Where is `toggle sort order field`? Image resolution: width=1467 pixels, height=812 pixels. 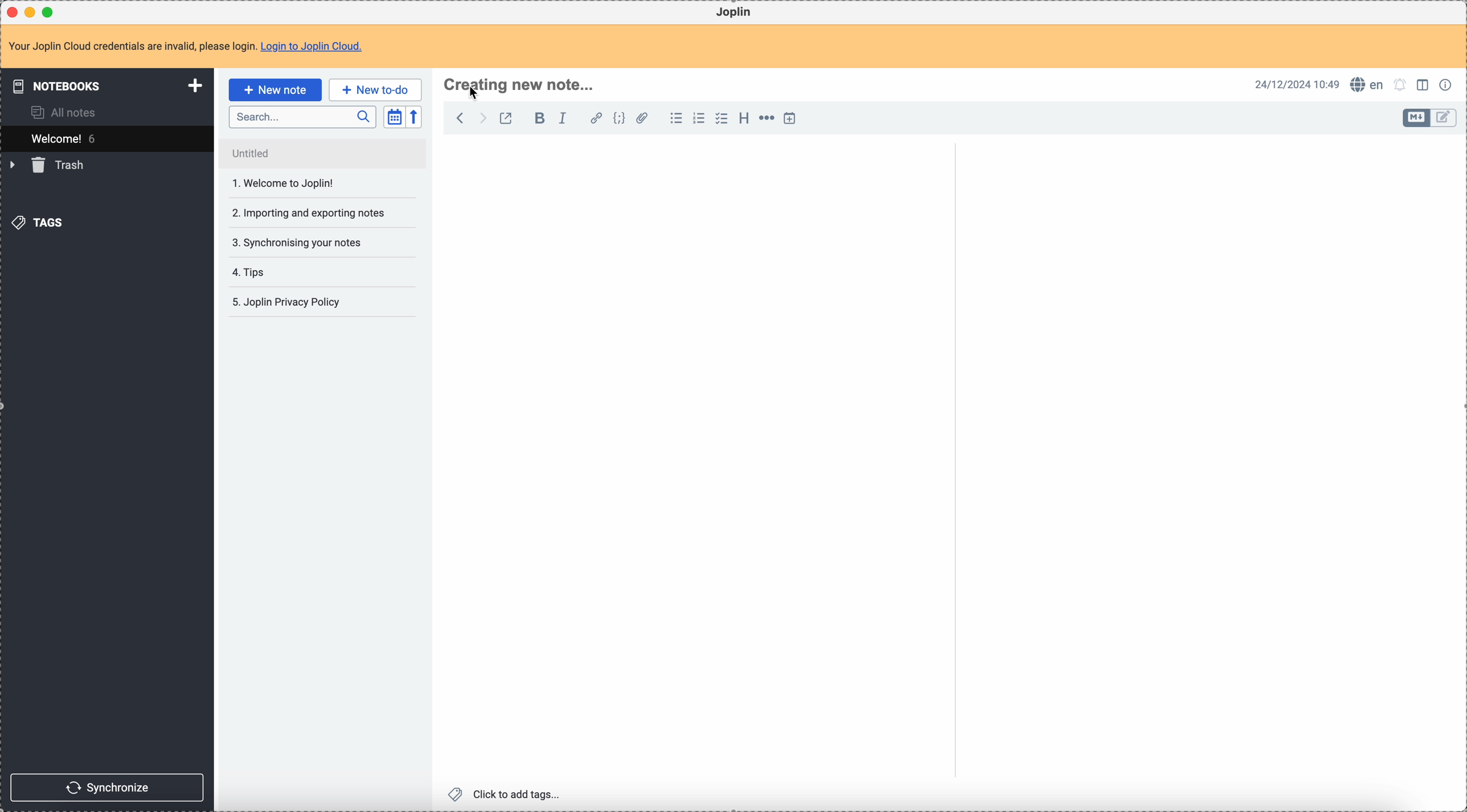 toggle sort order field is located at coordinates (394, 117).